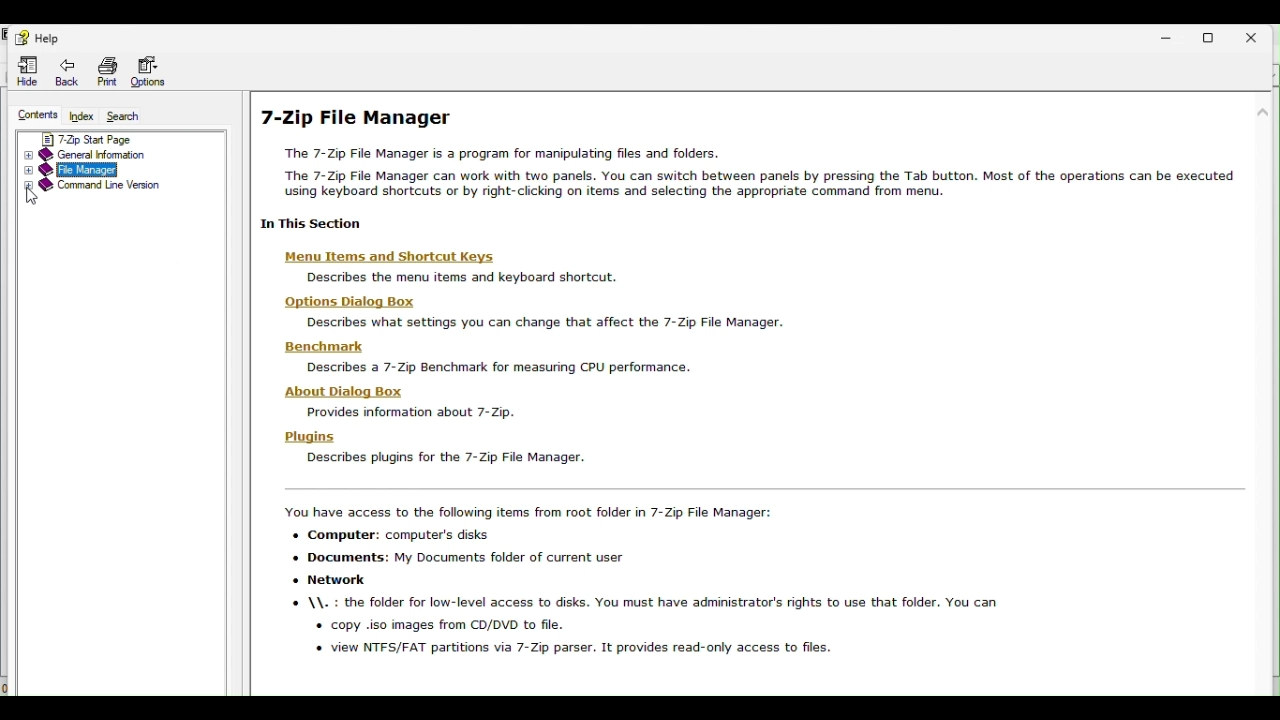 This screenshot has height=720, width=1280. What do you see at coordinates (35, 199) in the screenshot?
I see `cursor` at bounding box center [35, 199].